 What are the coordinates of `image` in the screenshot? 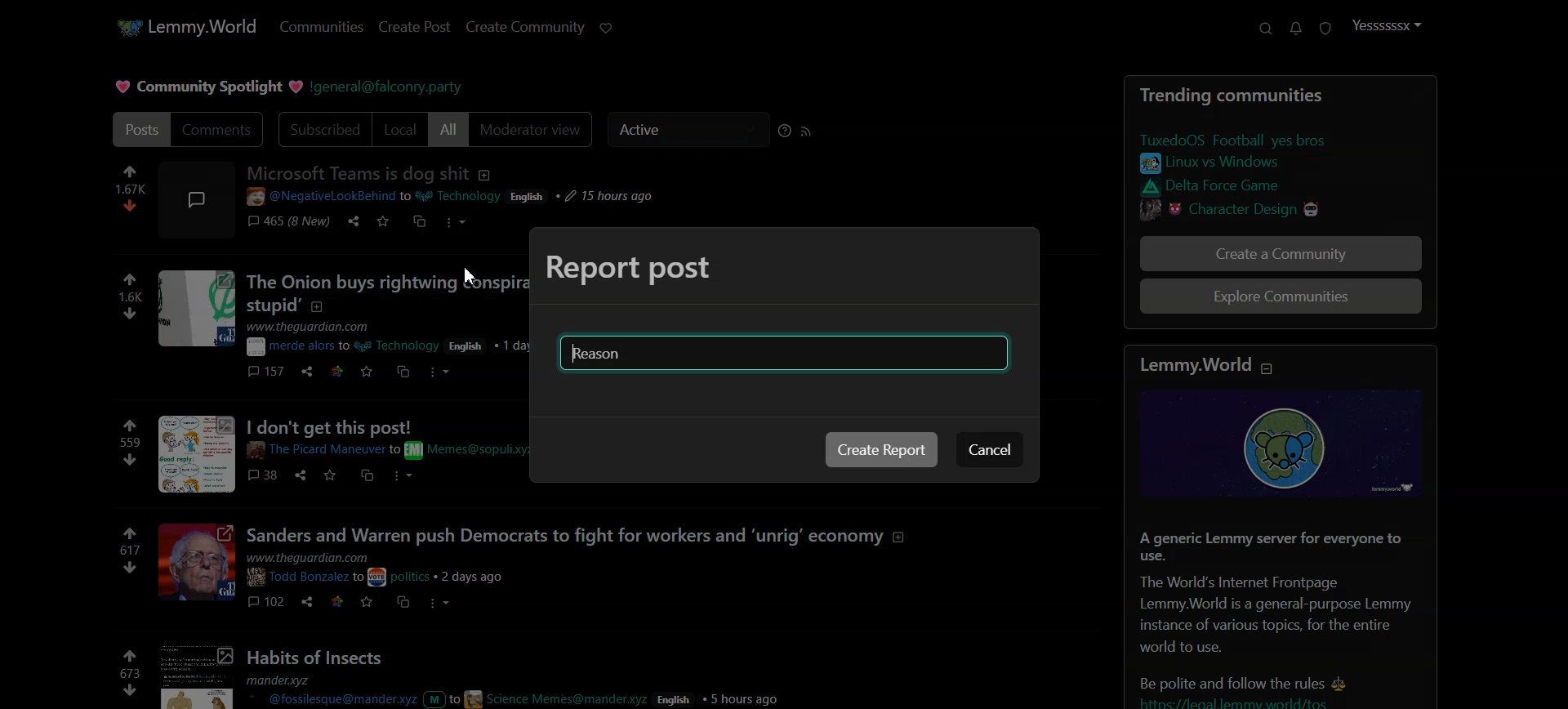 It's located at (194, 676).